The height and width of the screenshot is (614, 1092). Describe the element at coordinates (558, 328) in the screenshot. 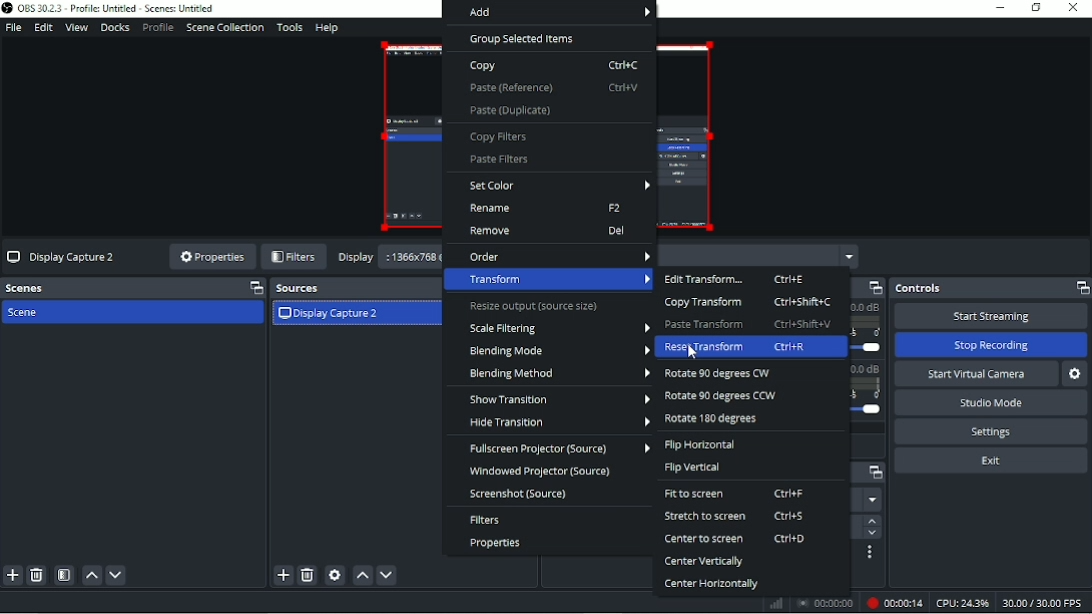

I see `Scale filtering` at that location.